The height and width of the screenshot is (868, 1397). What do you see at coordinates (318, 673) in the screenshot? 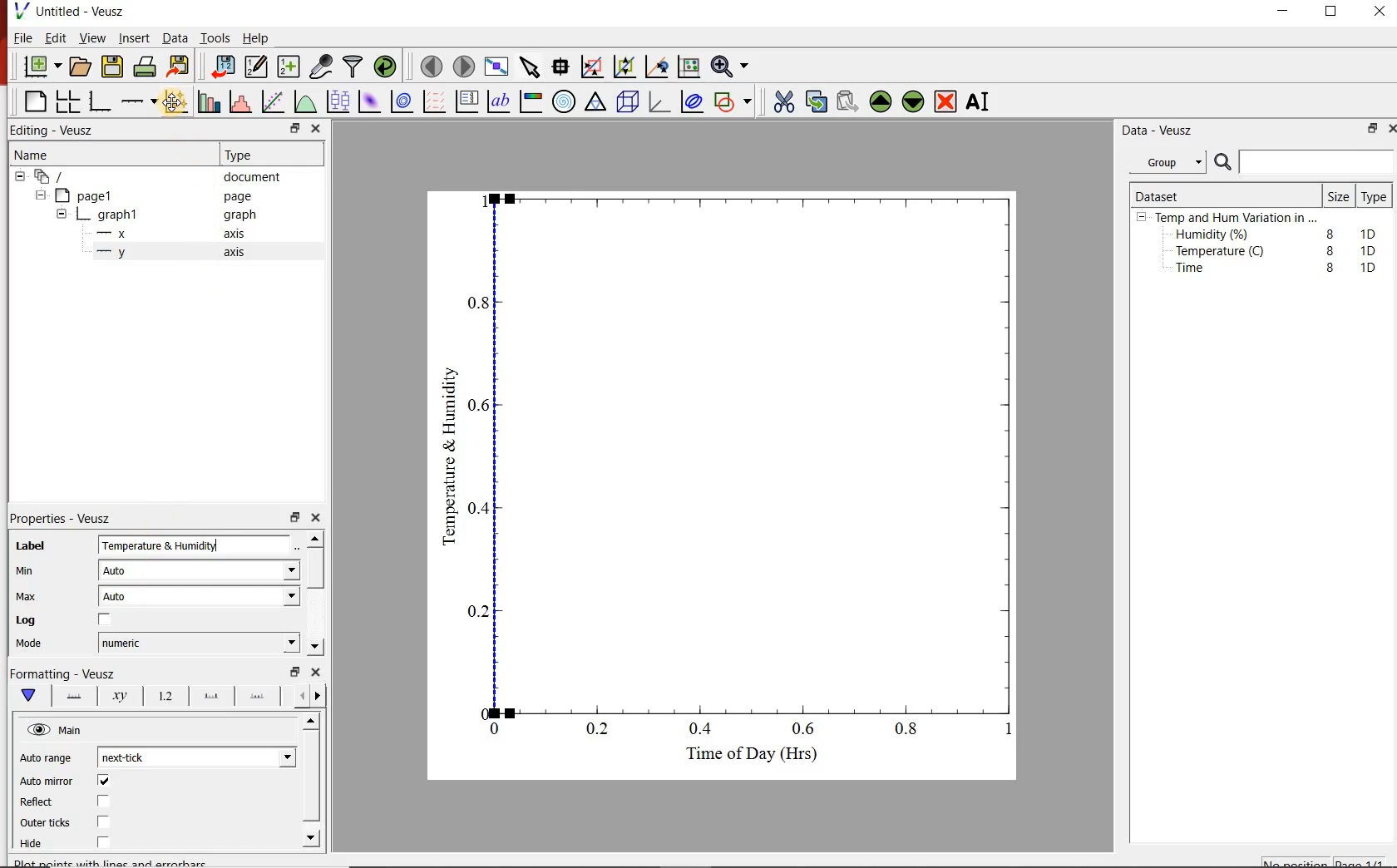
I see `close` at bounding box center [318, 673].